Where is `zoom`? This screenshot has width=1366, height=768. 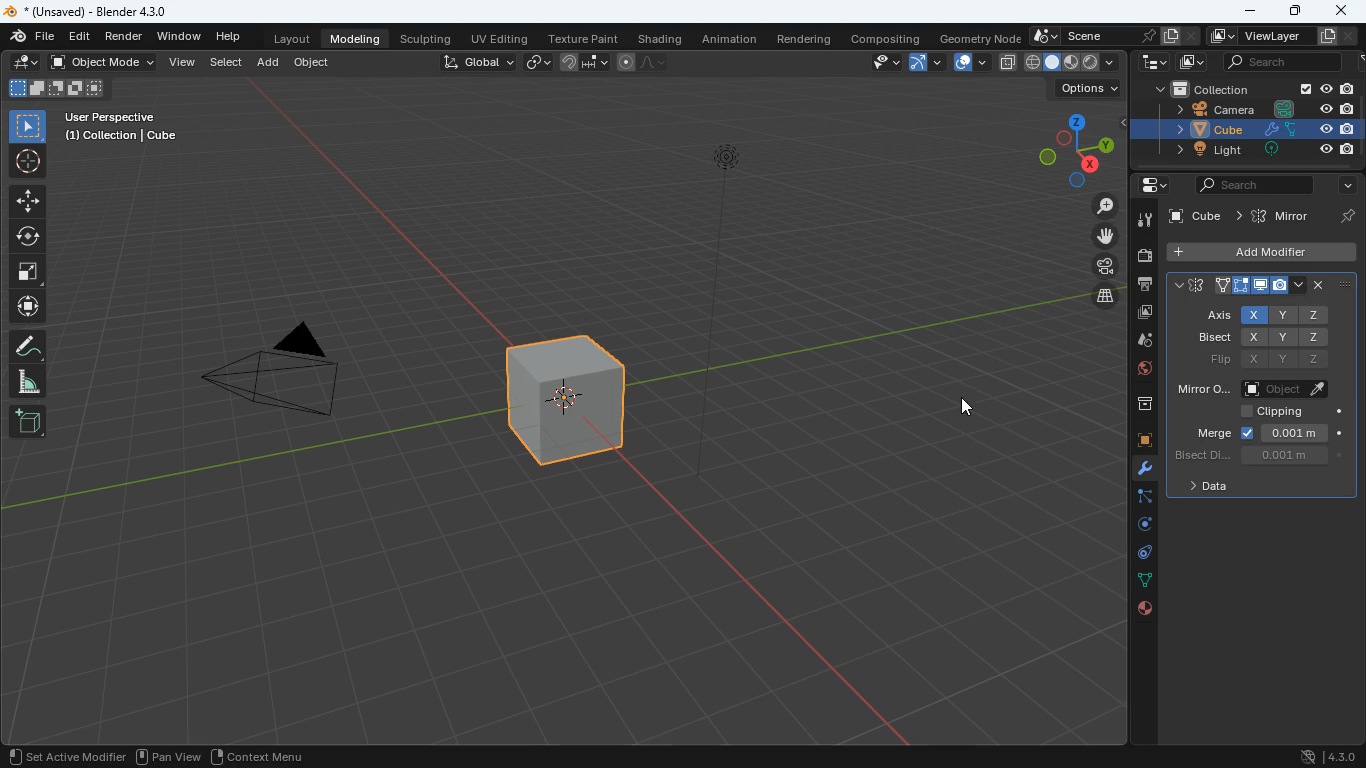
zoom is located at coordinates (1102, 206).